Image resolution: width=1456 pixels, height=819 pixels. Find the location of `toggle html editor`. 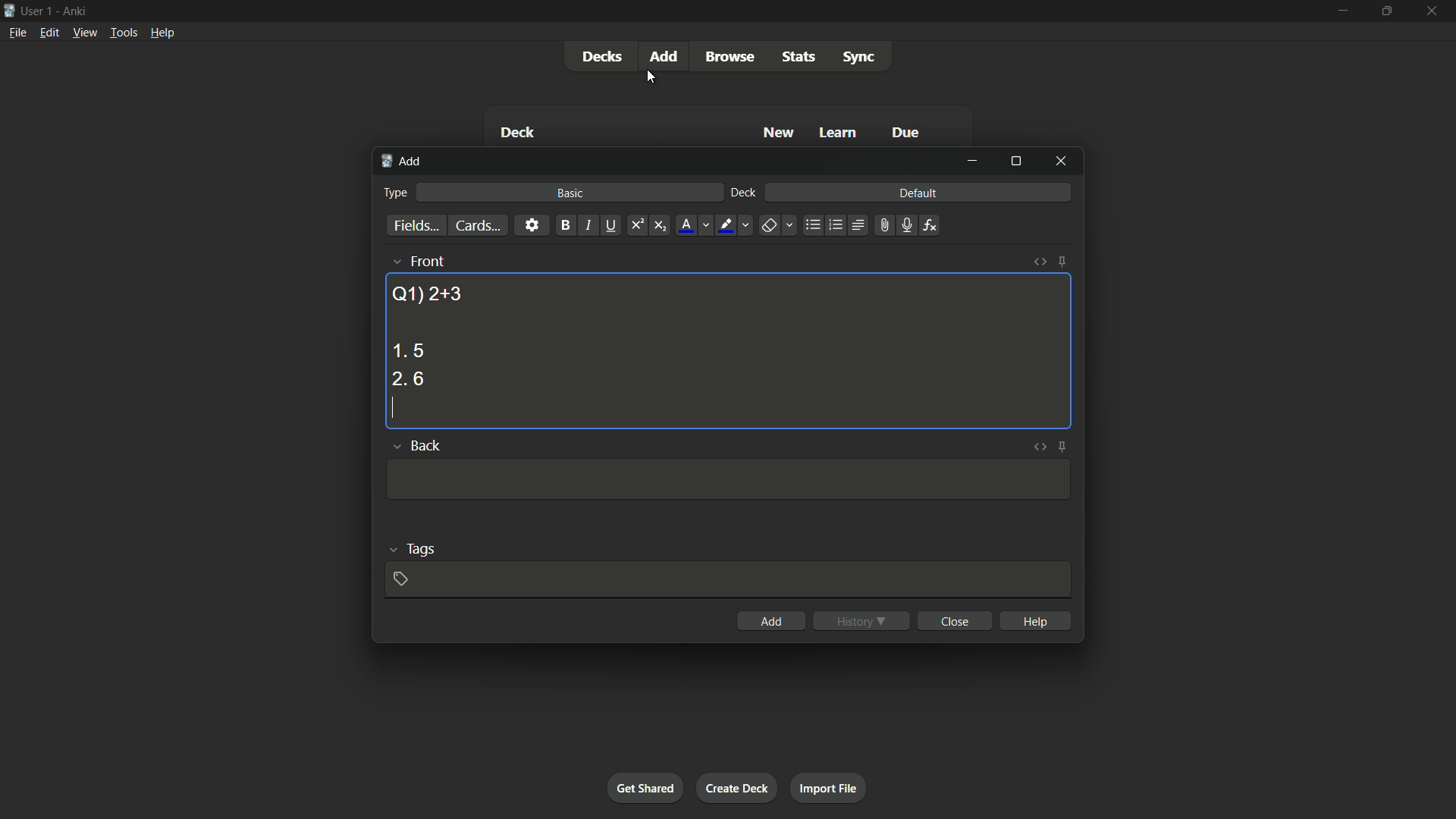

toggle html editor is located at coordinates (1037, 447).